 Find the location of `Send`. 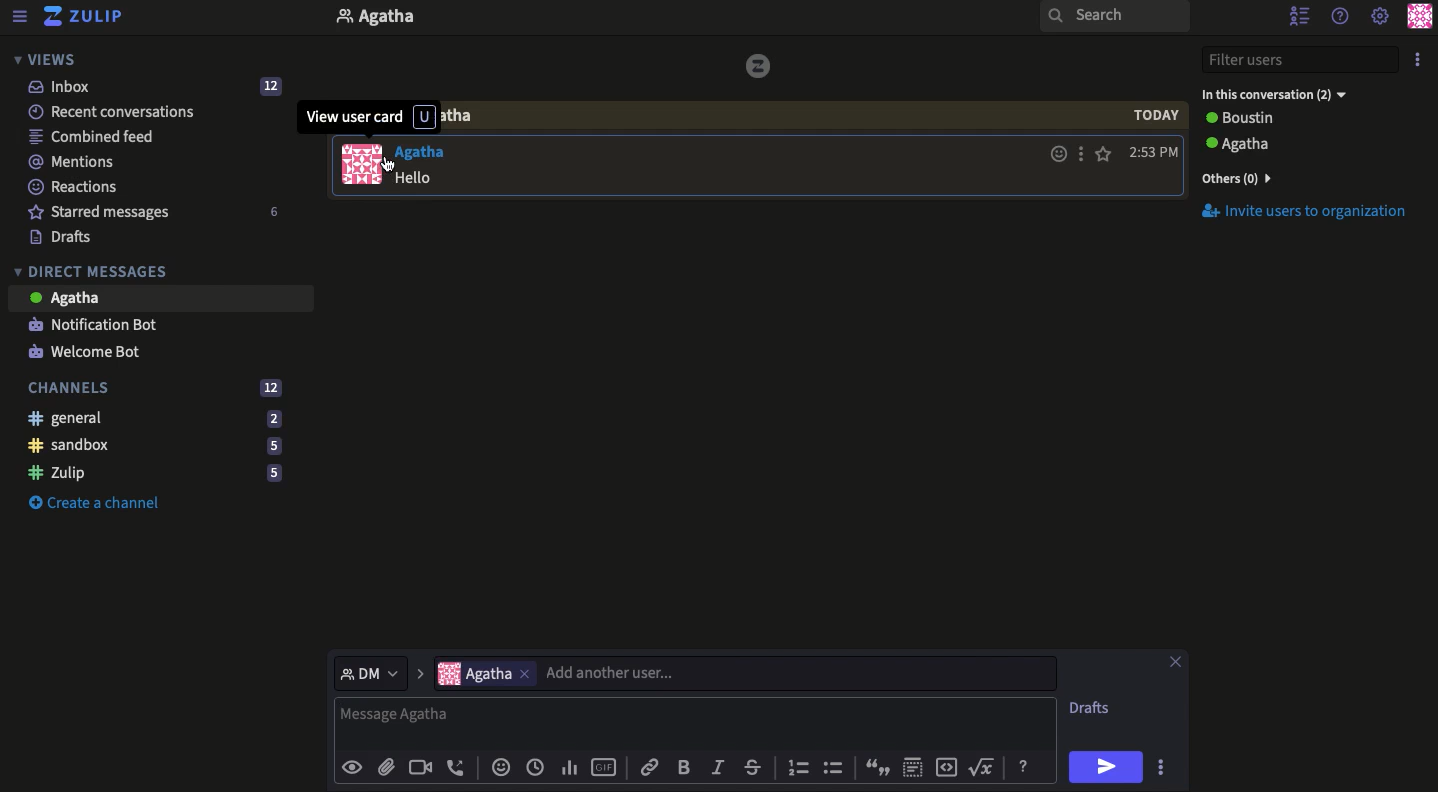

Send is located at coordinates (1106, 768).